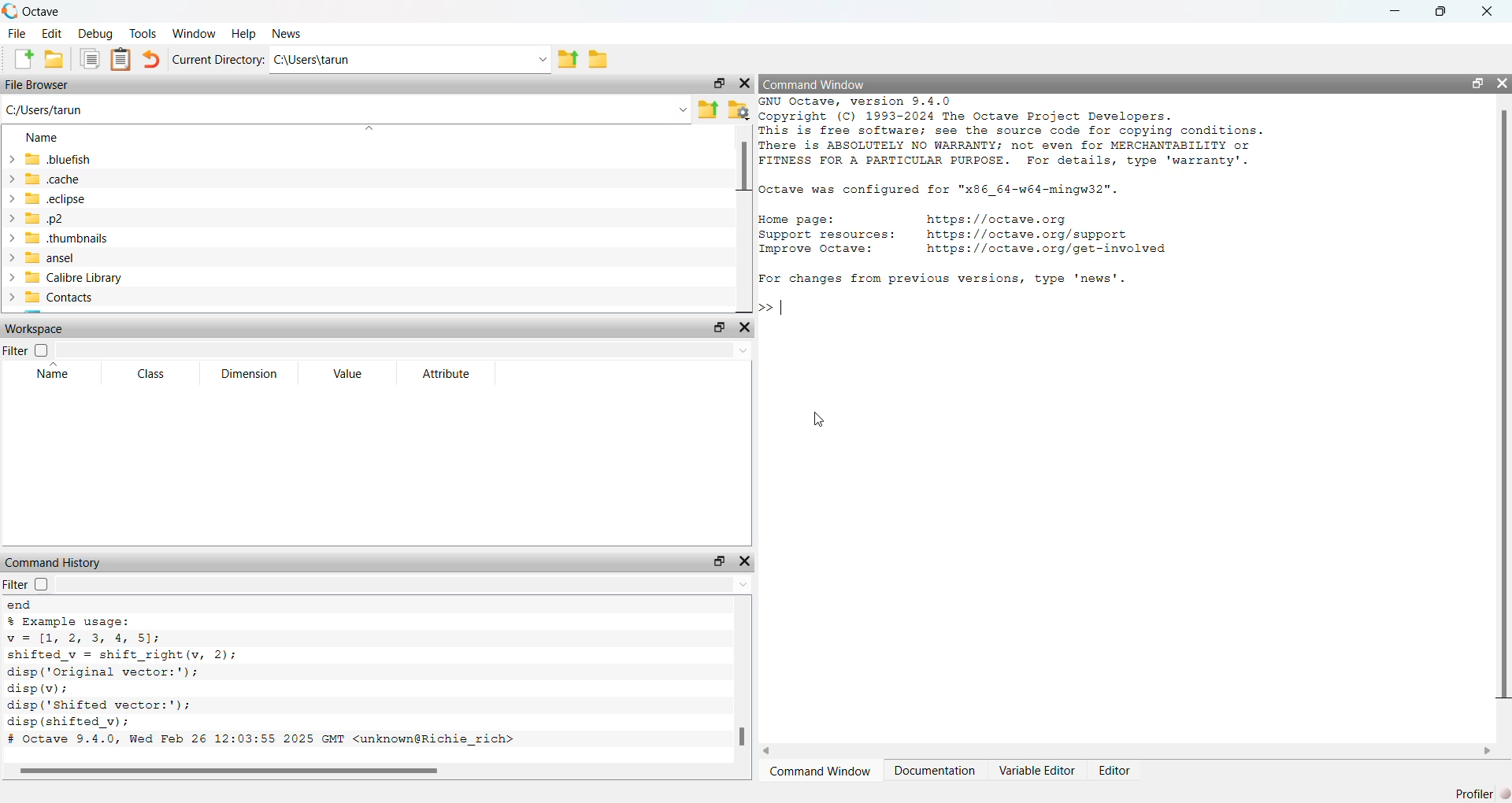  What do you see at coordinates (107, 160) in the screenshot?
I see `.bluefish` at bounding box center [107, 160].